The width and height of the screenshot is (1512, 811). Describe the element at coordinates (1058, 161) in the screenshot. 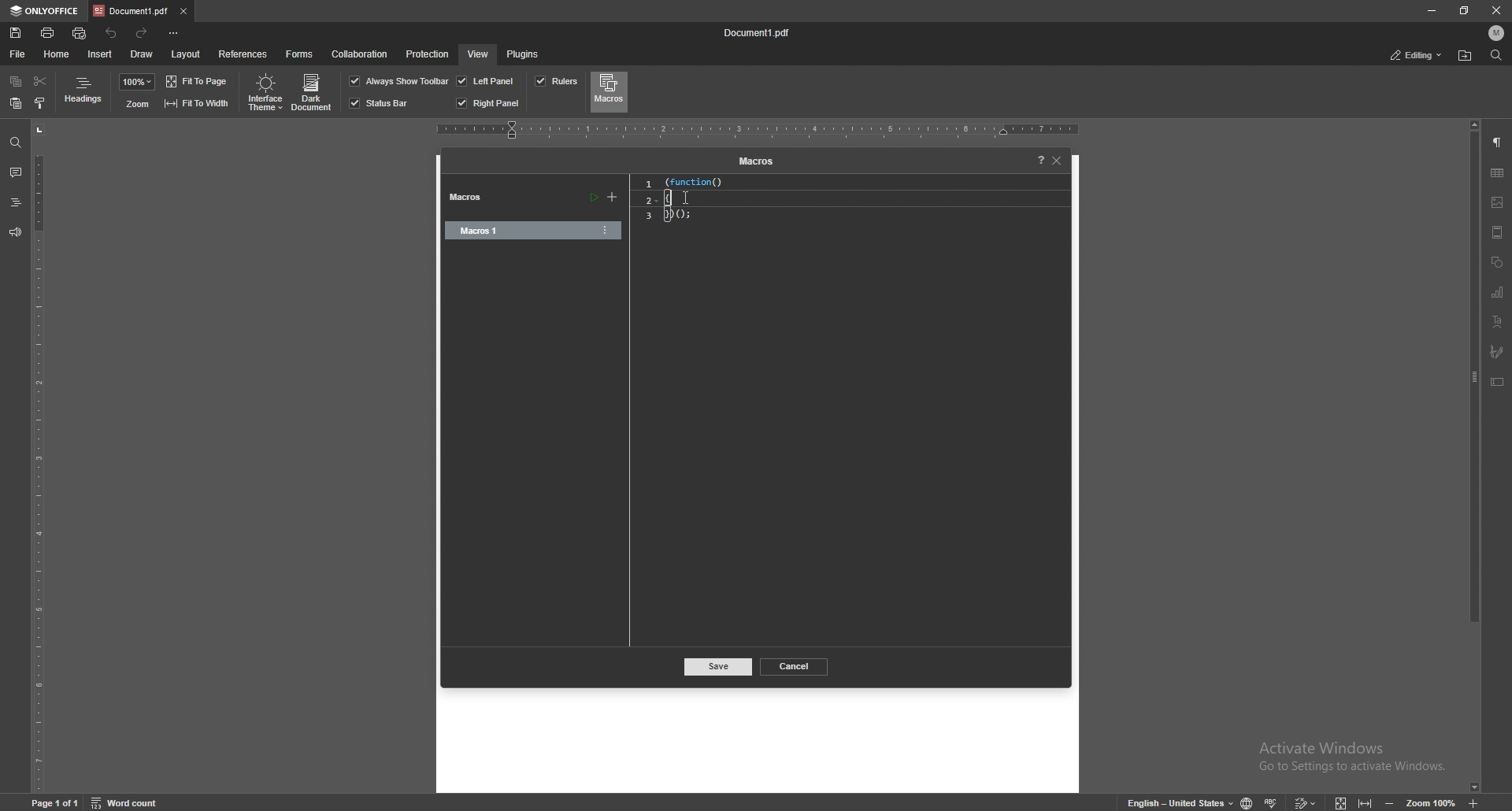

I see `close` at that location.